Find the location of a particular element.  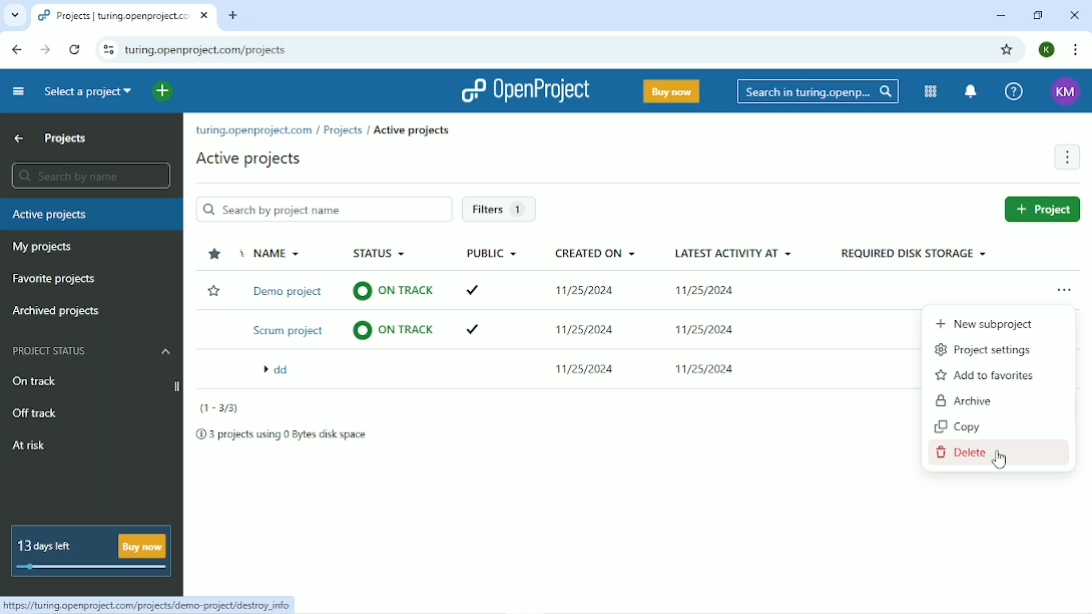

Collapse project menu is located at coordinates (18, 92).